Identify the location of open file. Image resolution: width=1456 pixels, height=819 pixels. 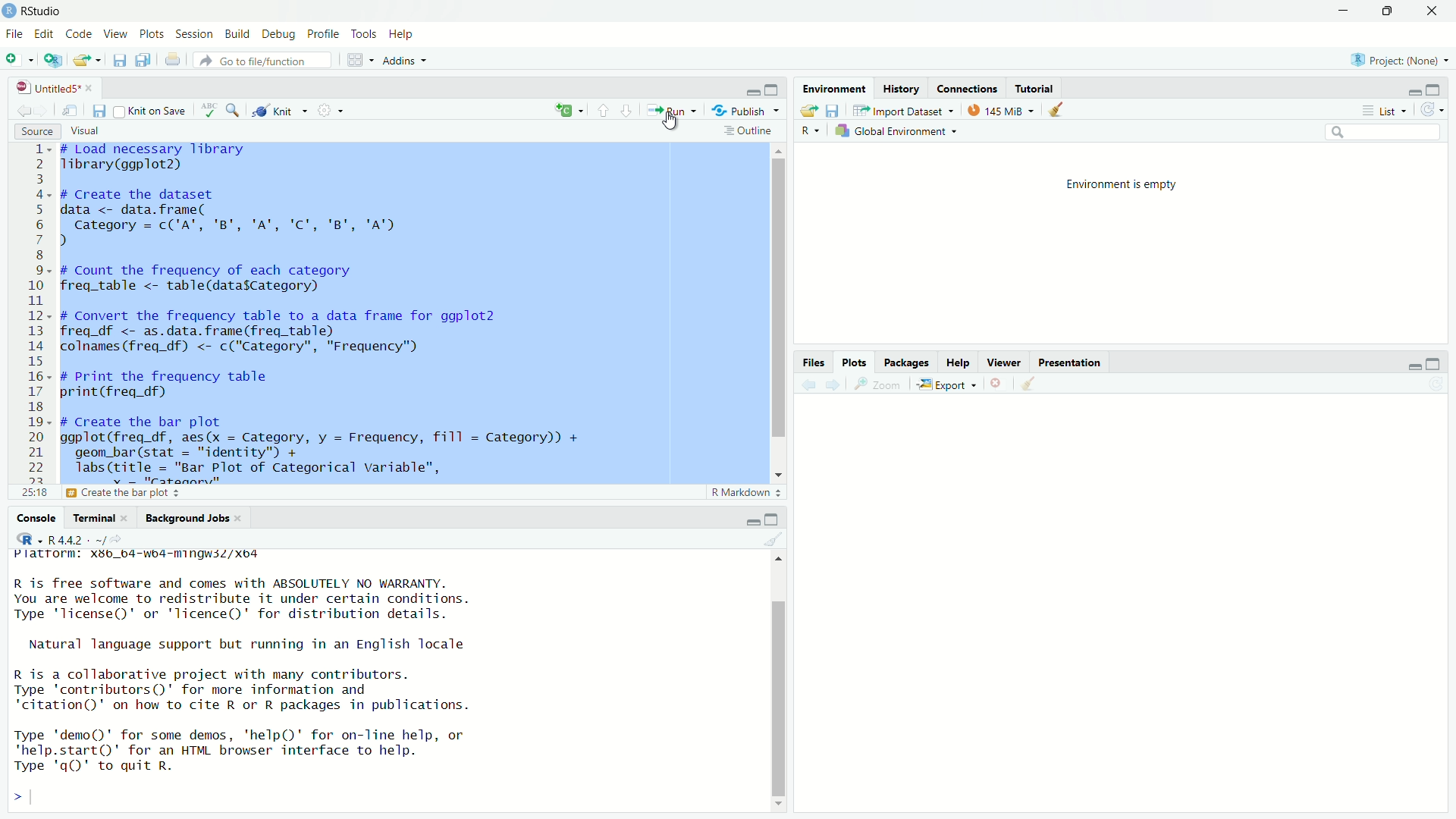
(87, 60).